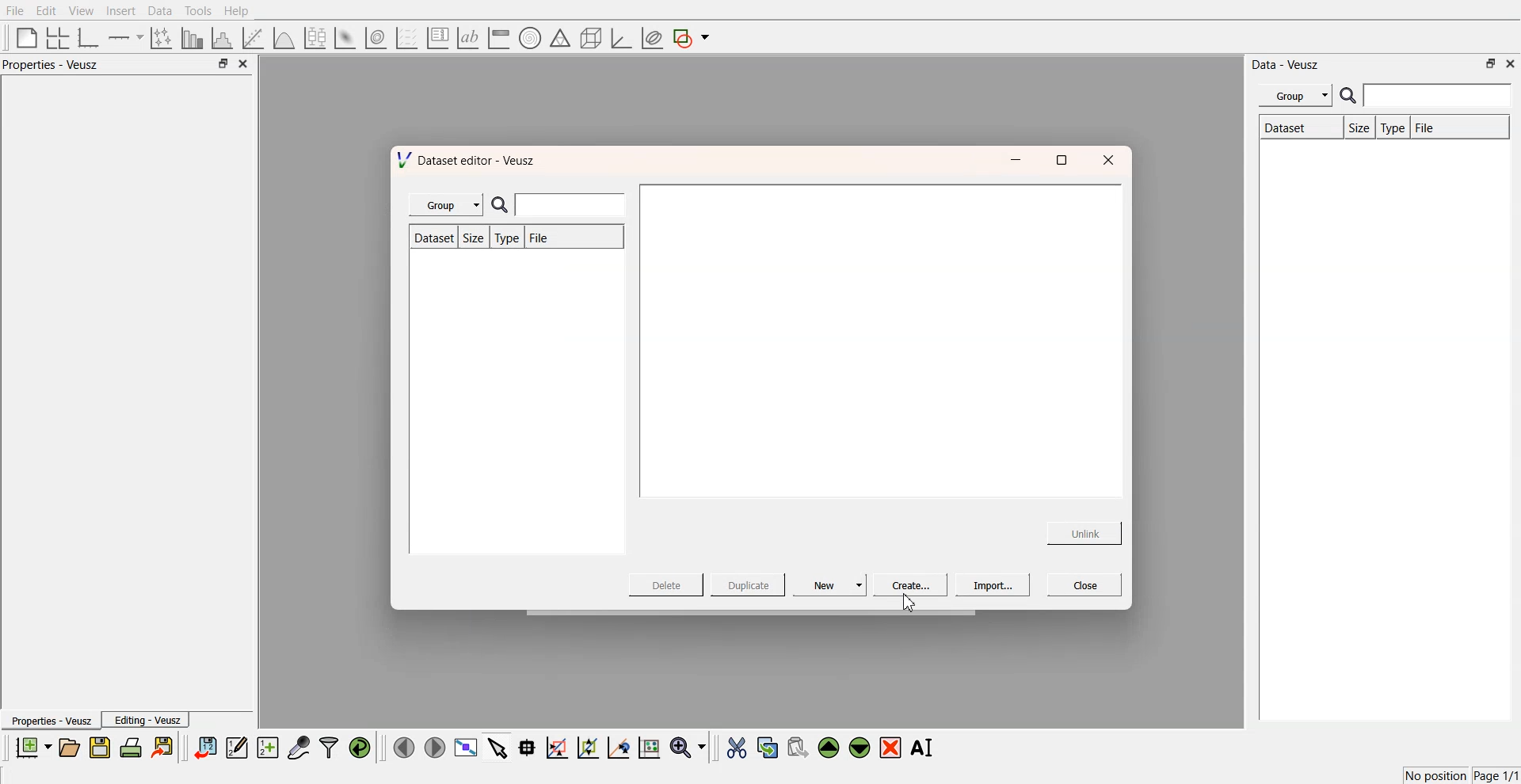 Image resolution: width=1521 pixels, height=784 pixels. Describe the element at coordinates (80, 11) in the screenshot. I see `View` at that location.